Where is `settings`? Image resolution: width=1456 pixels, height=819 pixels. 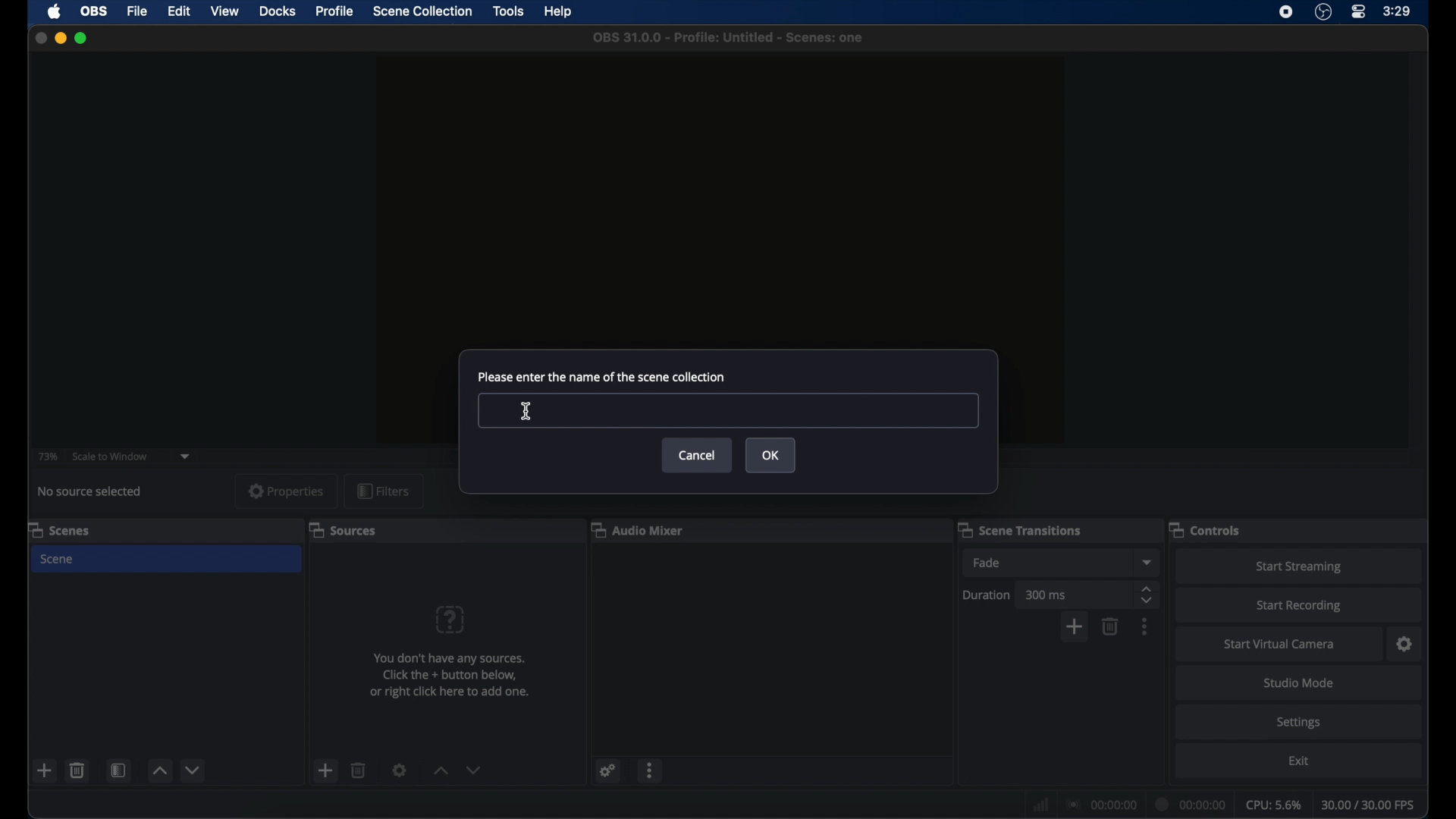 settings is located at coordinates (606, 770).